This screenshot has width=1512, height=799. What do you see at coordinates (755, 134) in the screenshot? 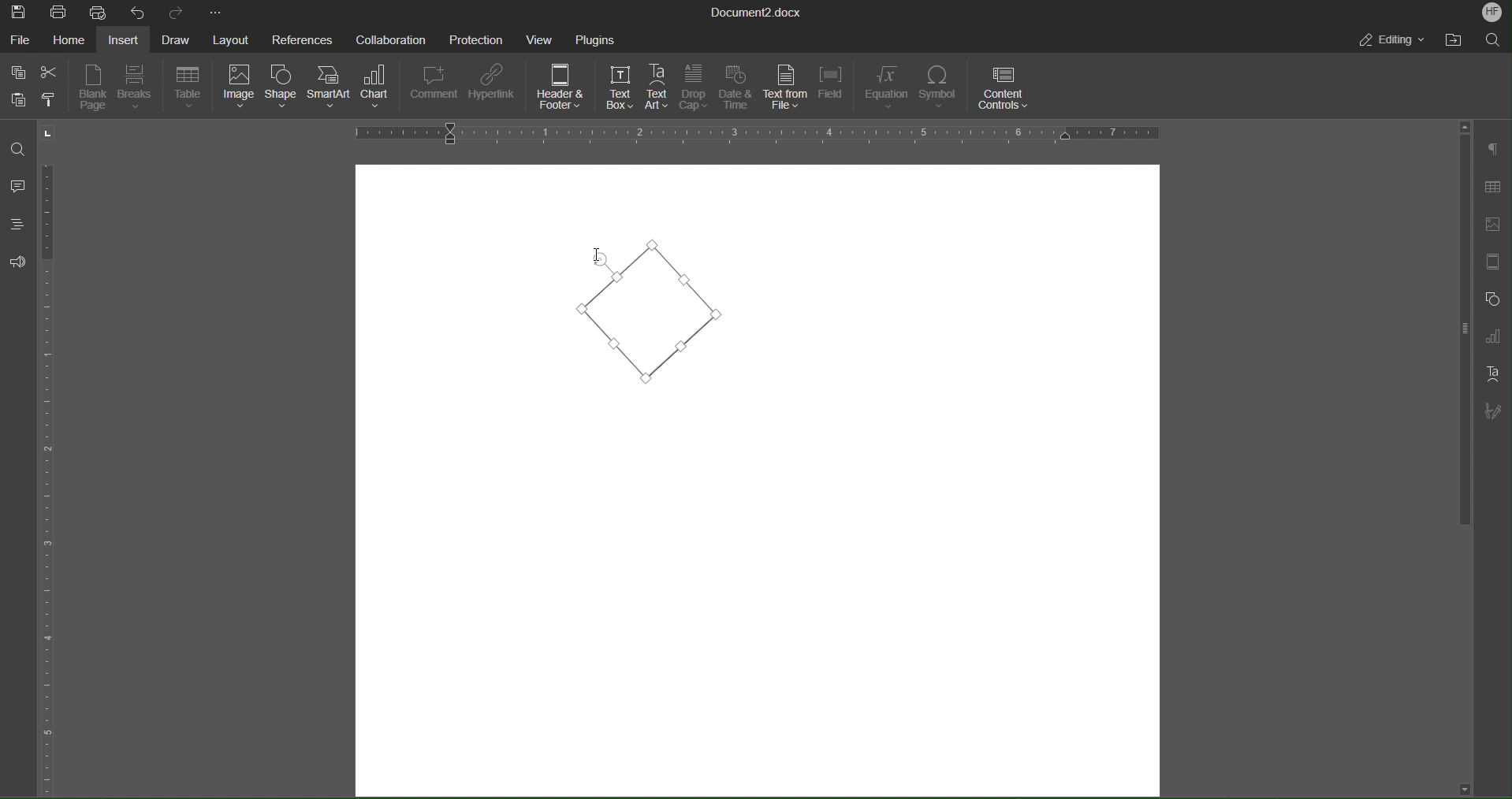
I see `Horizontal Ruler` at bounding box center [755, 134].